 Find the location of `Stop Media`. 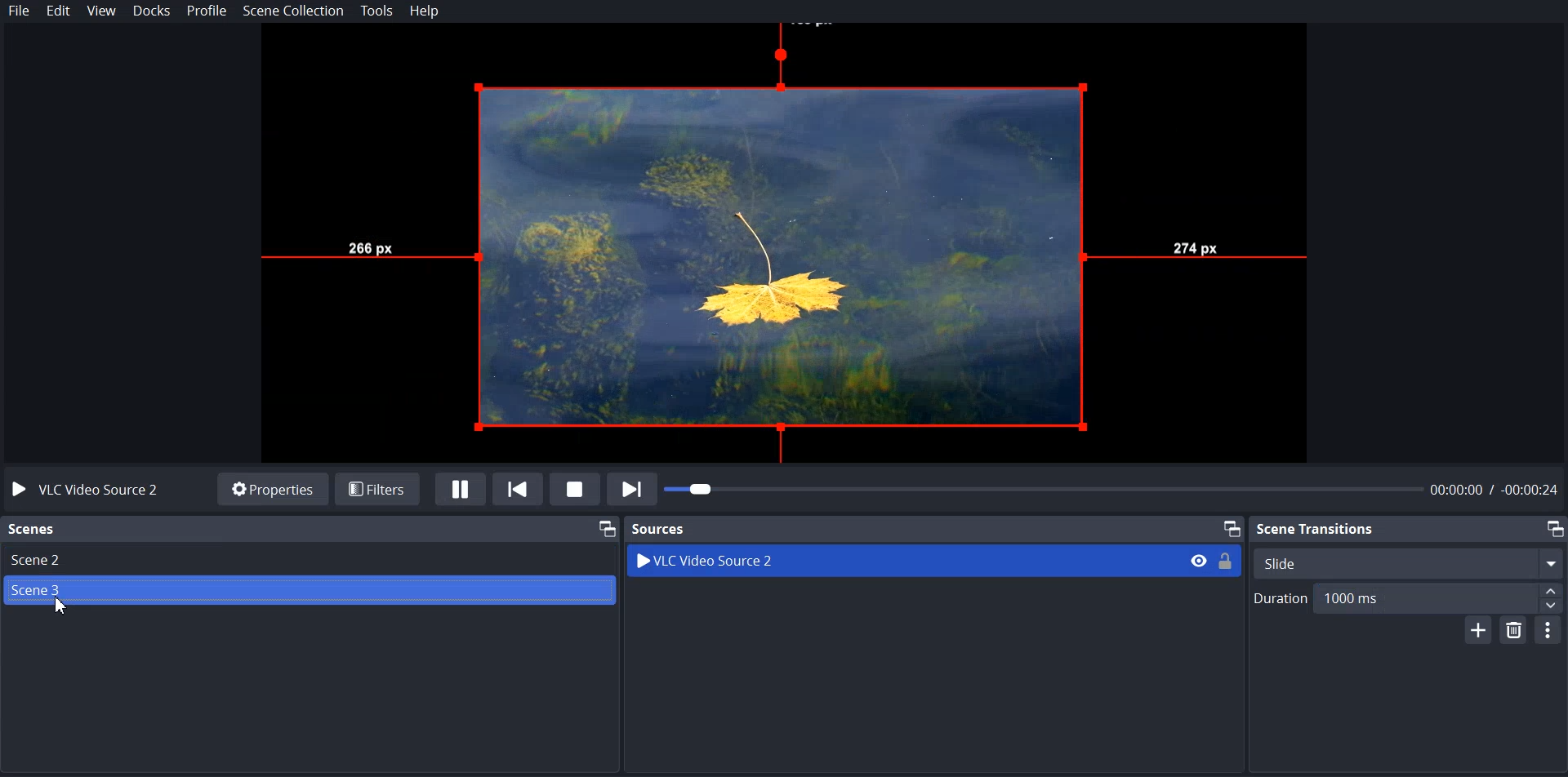

Stop Media is located at coordinates (577, 491).